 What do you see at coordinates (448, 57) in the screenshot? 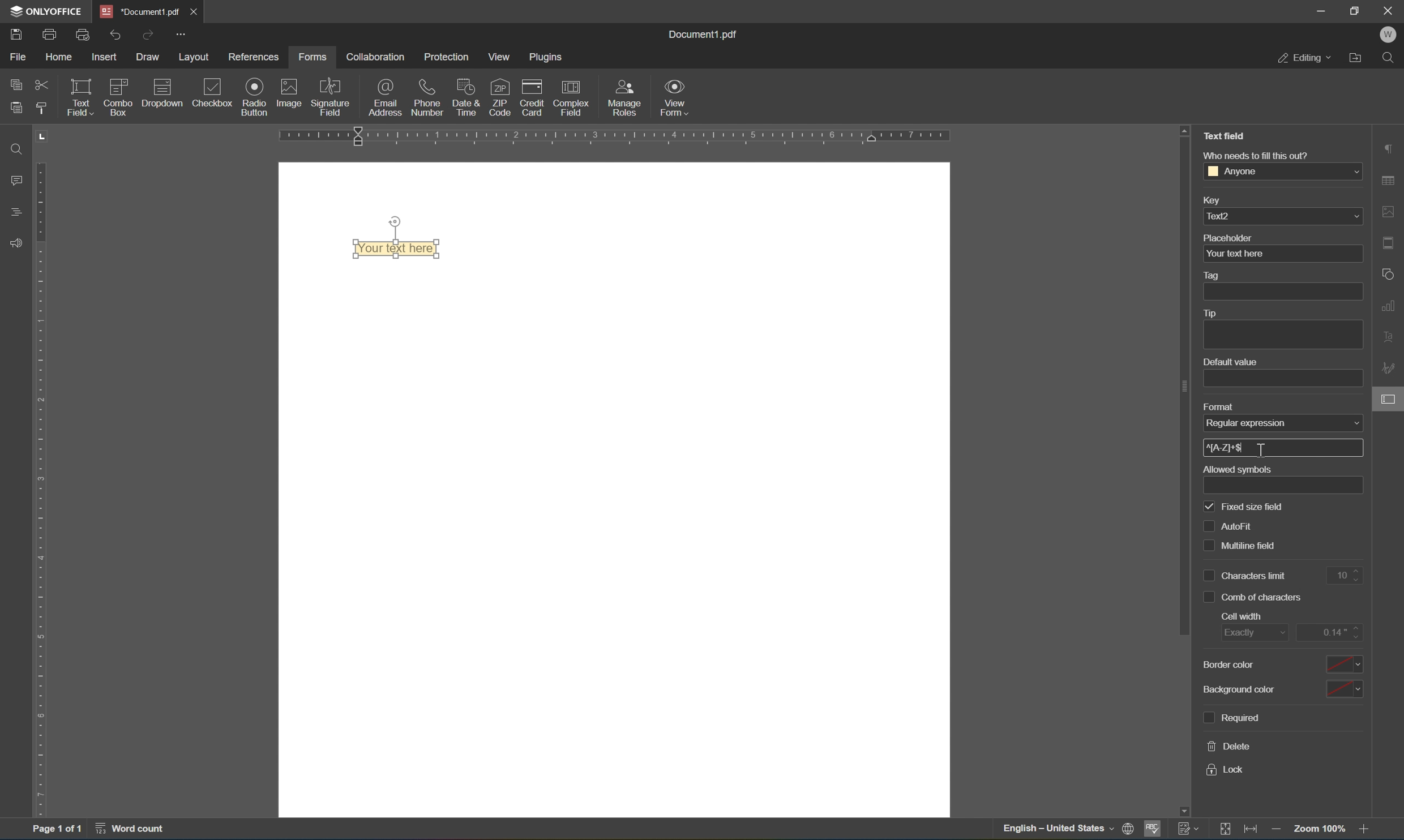
I see `protection` at bounding box center [448, 57].